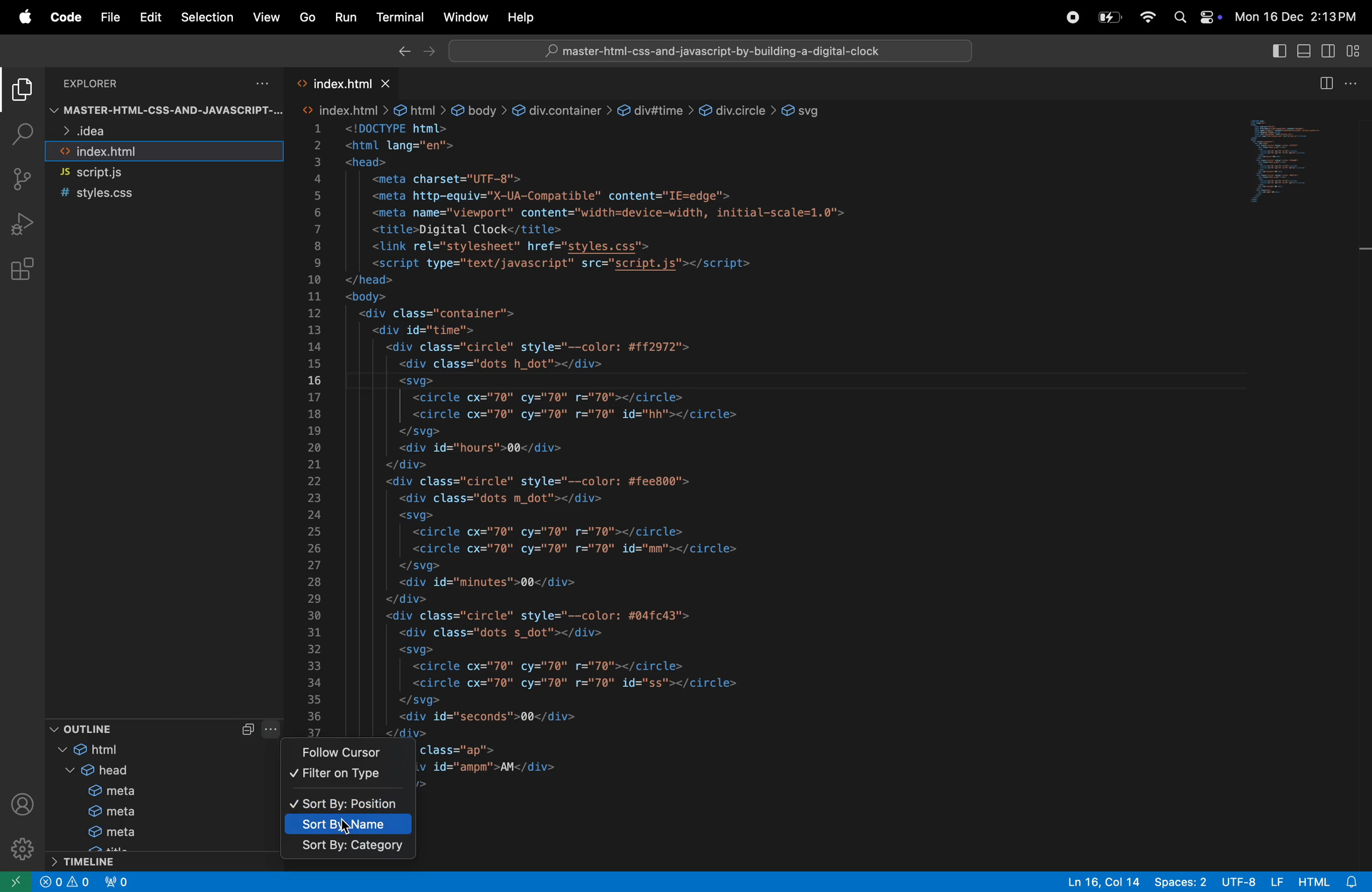 This screenshot has height=892, width=1372. I want to click on file, so click(109, 18).